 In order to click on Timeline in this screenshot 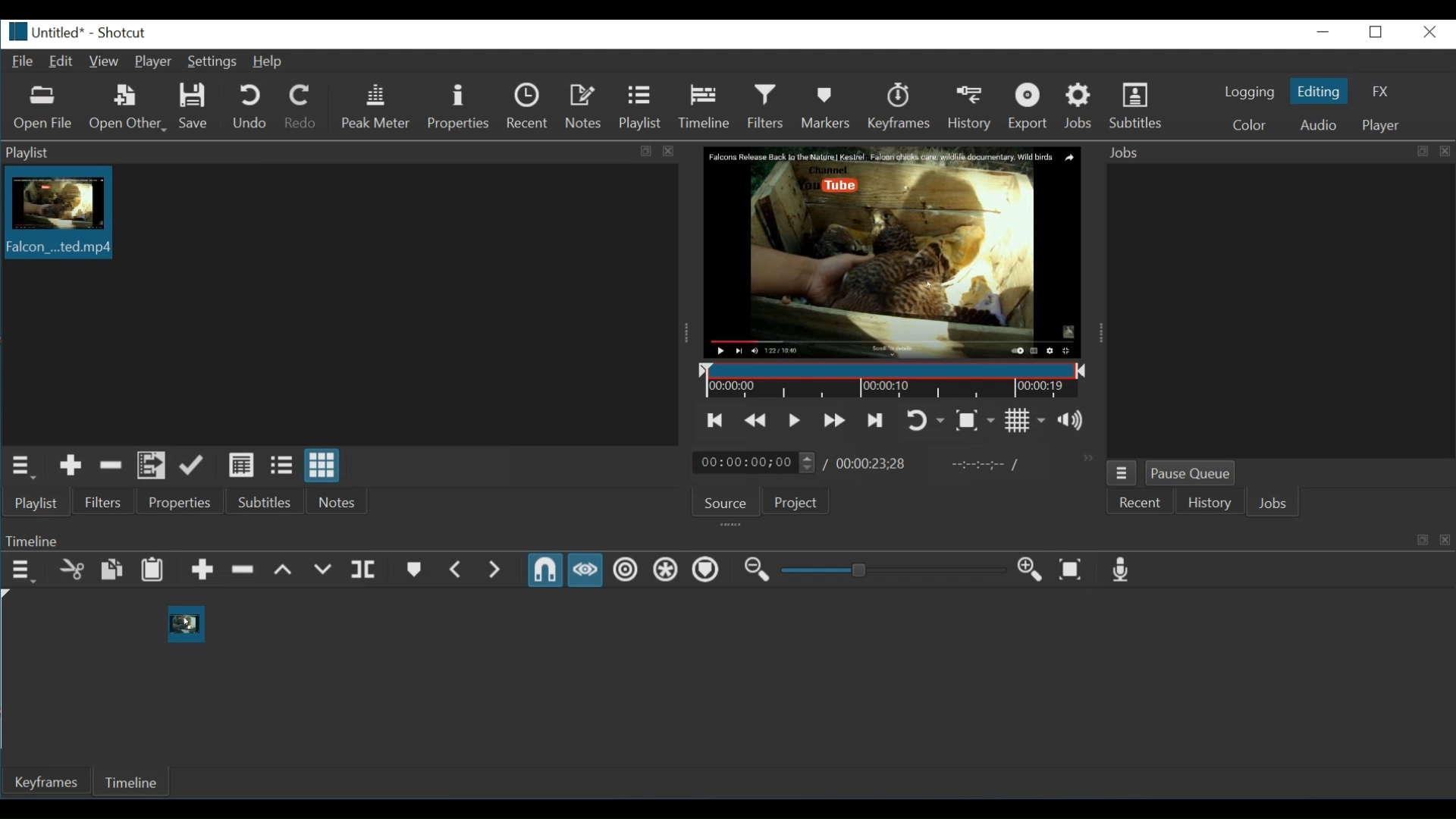, I will do `click(895, 381)`.